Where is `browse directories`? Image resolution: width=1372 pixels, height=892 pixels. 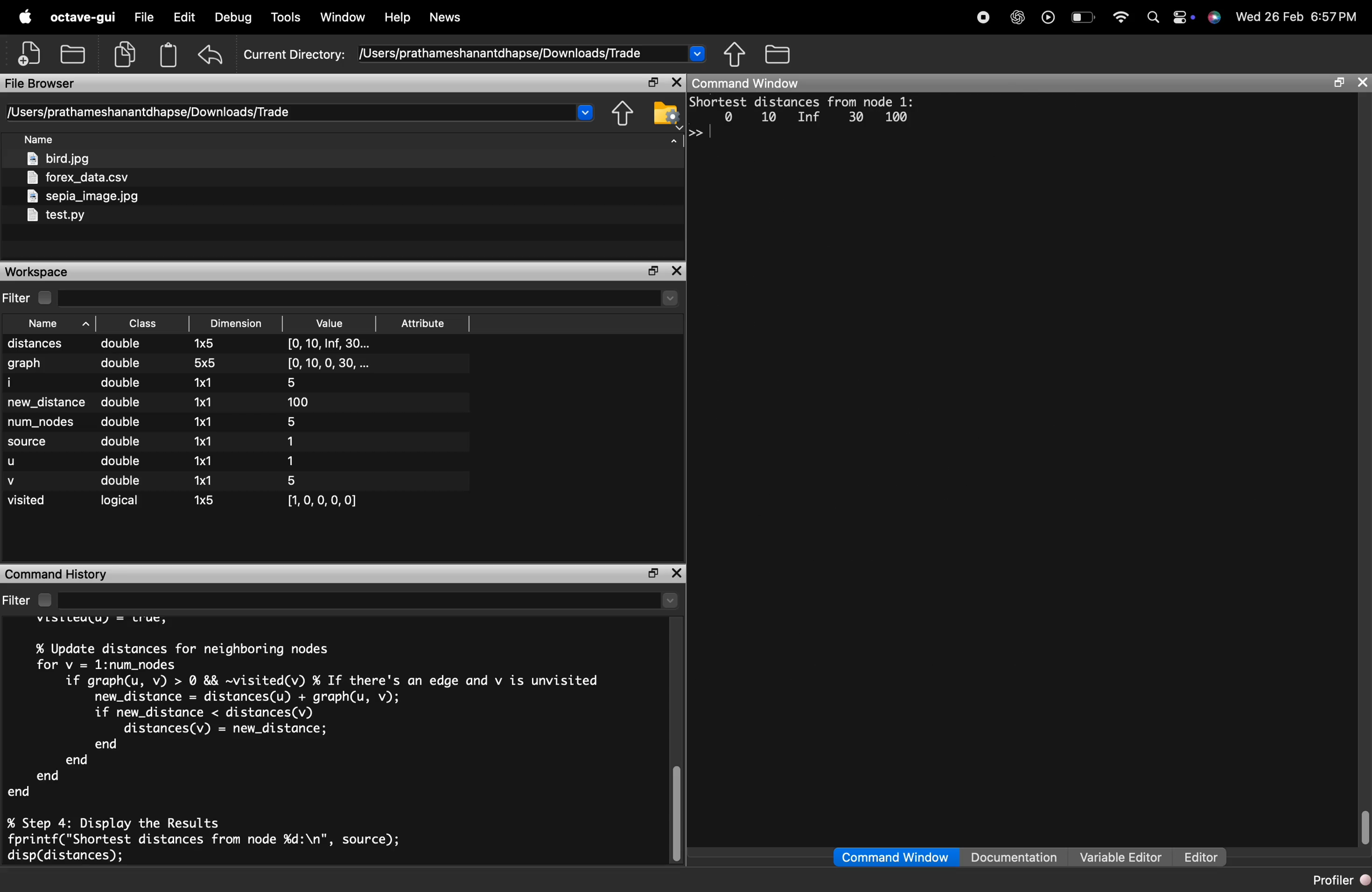
browse directories is located at coordinates (778, 54).